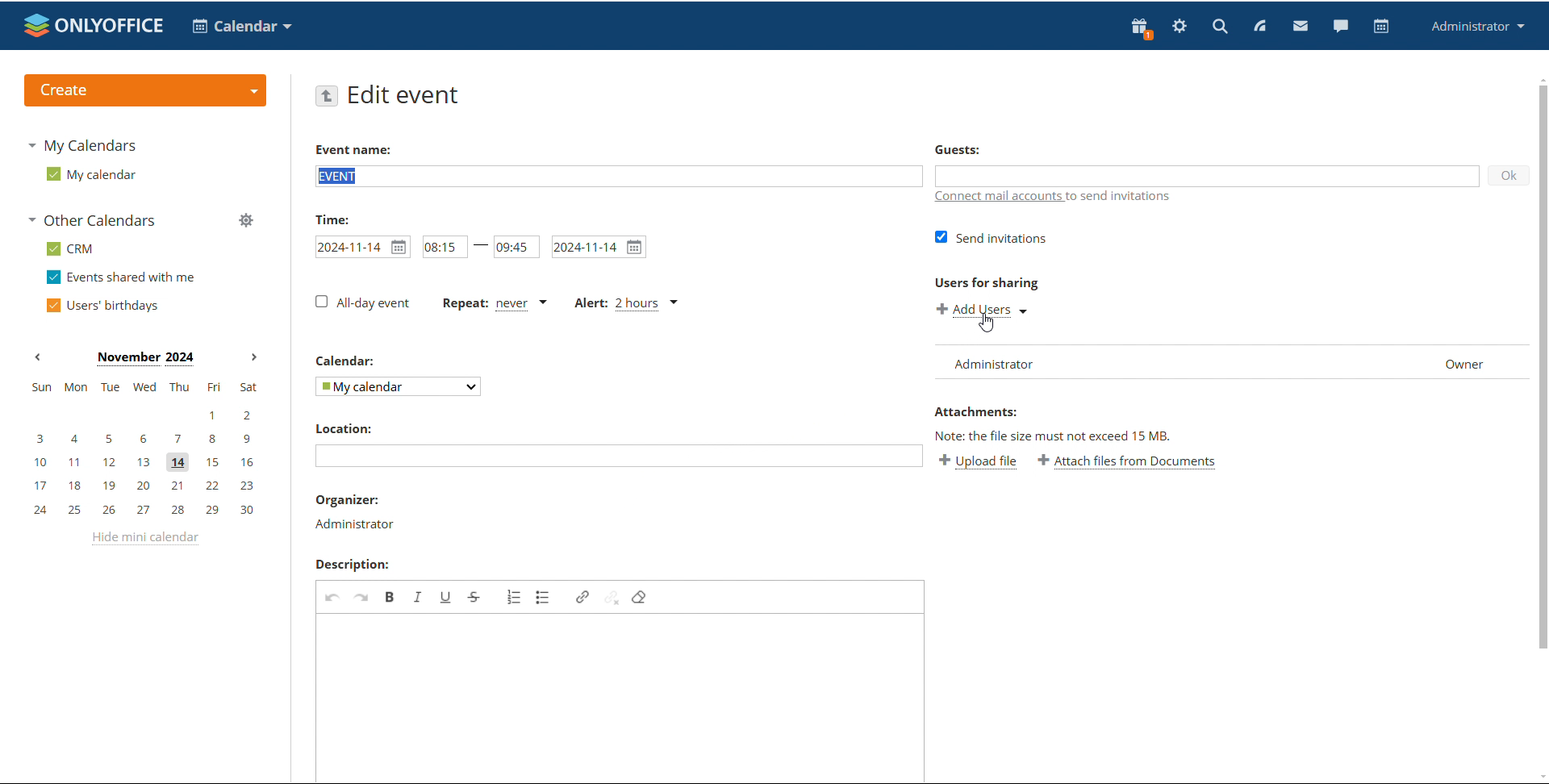 The image size is (1549, 784). I want to click on feed, so click(1259, 27).